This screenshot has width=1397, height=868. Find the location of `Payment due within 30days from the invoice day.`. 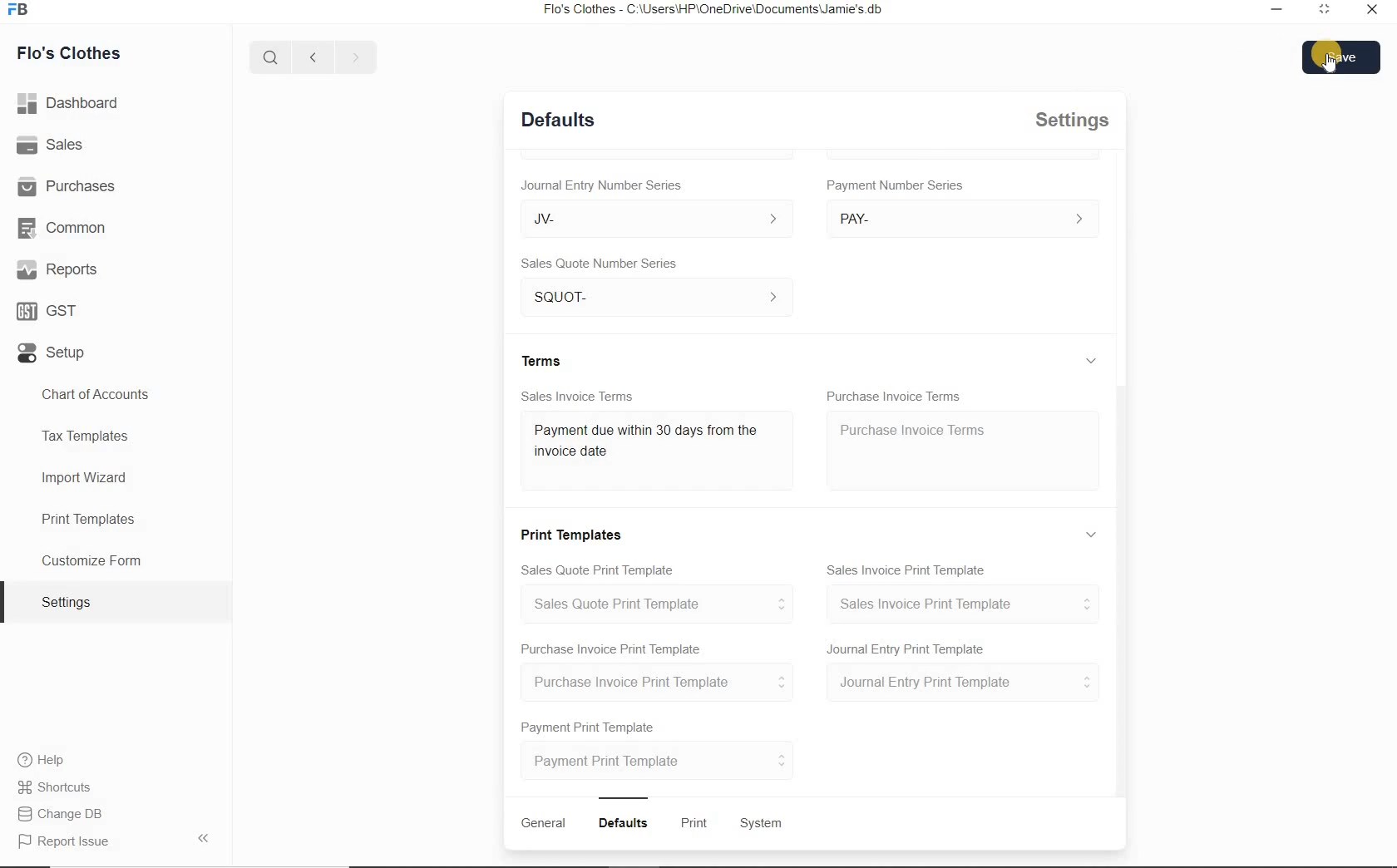

Payment due within 30days from the invoice day. is located at coordinates (644, 440).